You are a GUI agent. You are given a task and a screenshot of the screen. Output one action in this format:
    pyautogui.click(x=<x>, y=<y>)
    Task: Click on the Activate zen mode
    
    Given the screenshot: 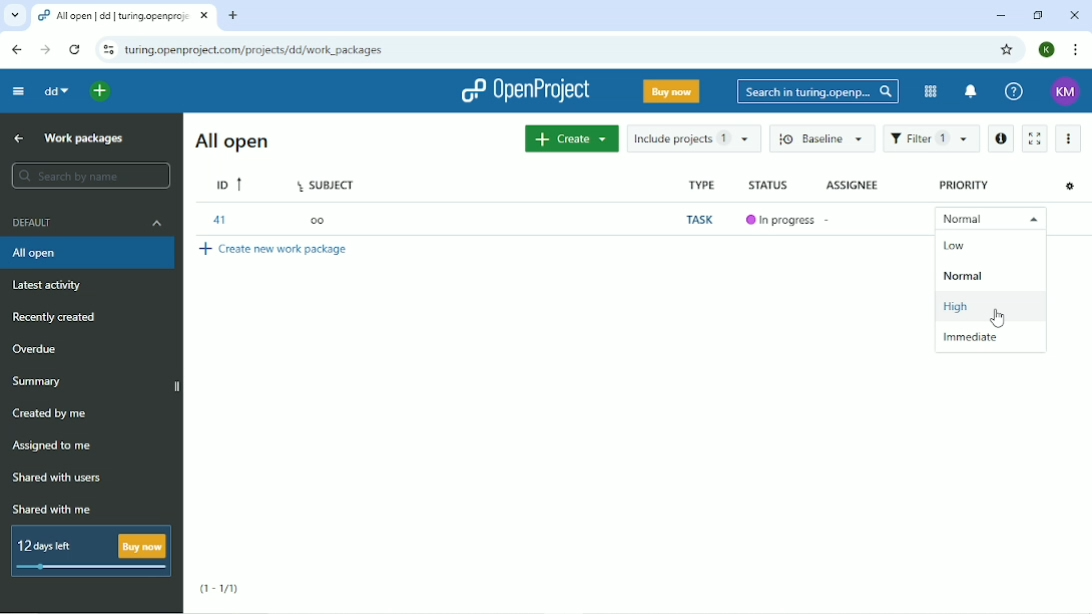 What is the action you would take?
    pyautogui.click(x=1038, y=140)
    